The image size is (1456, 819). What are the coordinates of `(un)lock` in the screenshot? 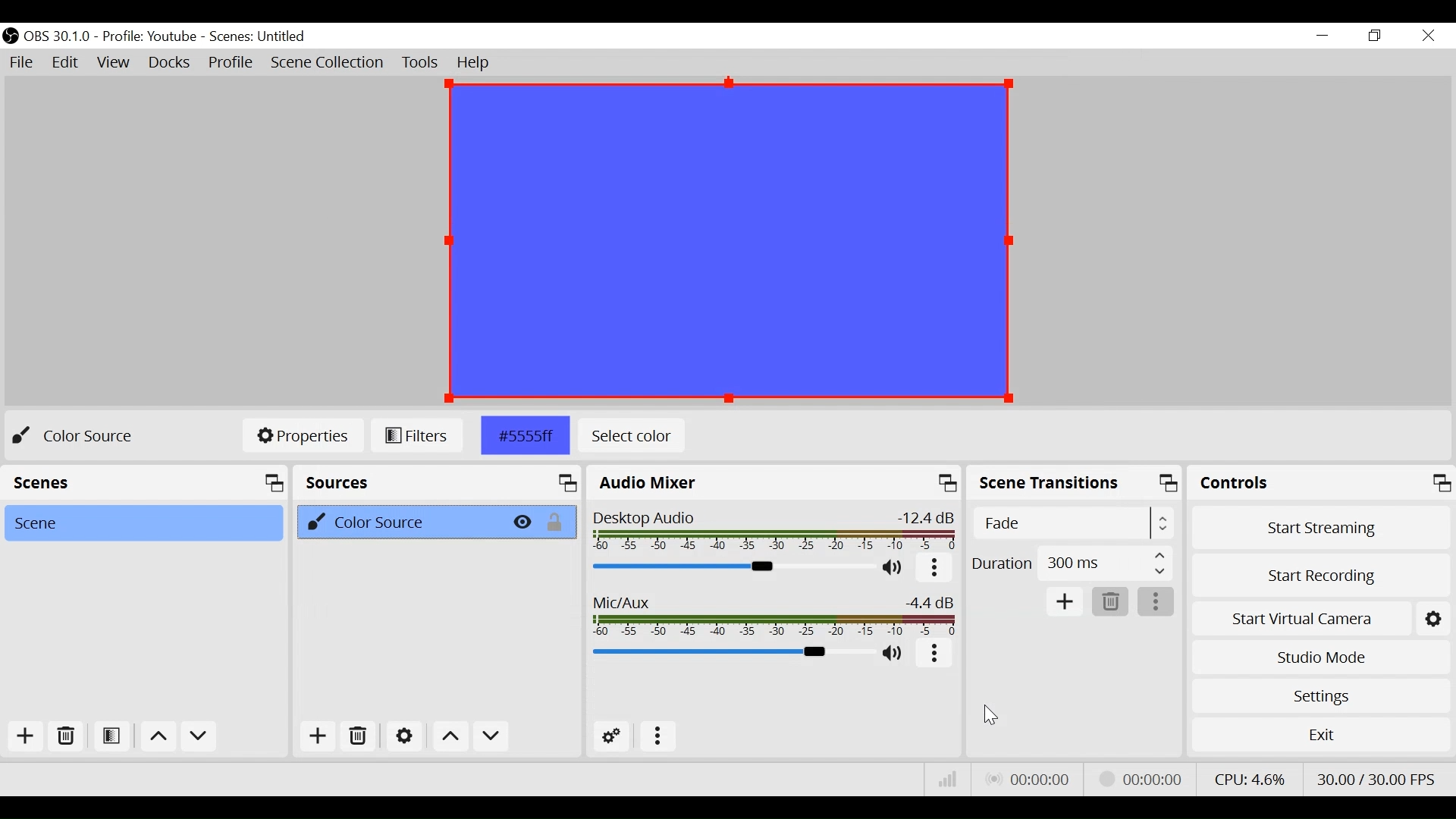 It's located at (557, 522).